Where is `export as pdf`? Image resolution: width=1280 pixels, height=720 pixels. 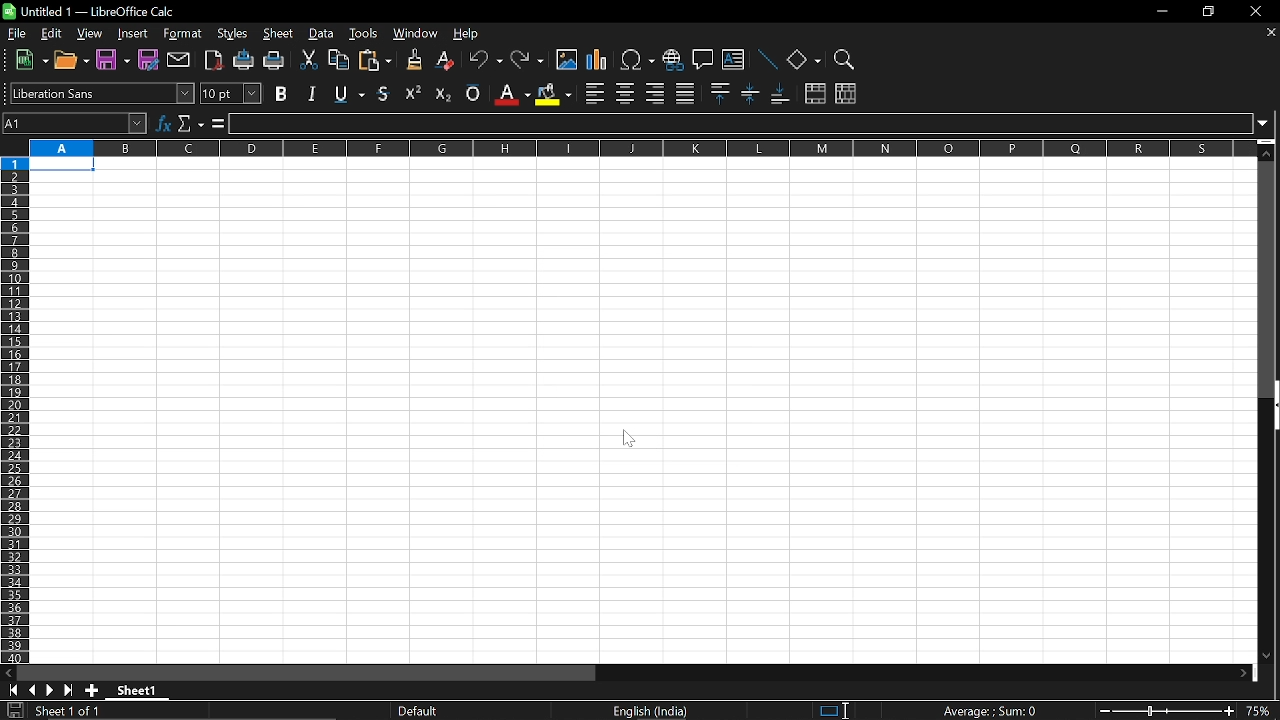 export as pdf is located at coordinates (215, 62).